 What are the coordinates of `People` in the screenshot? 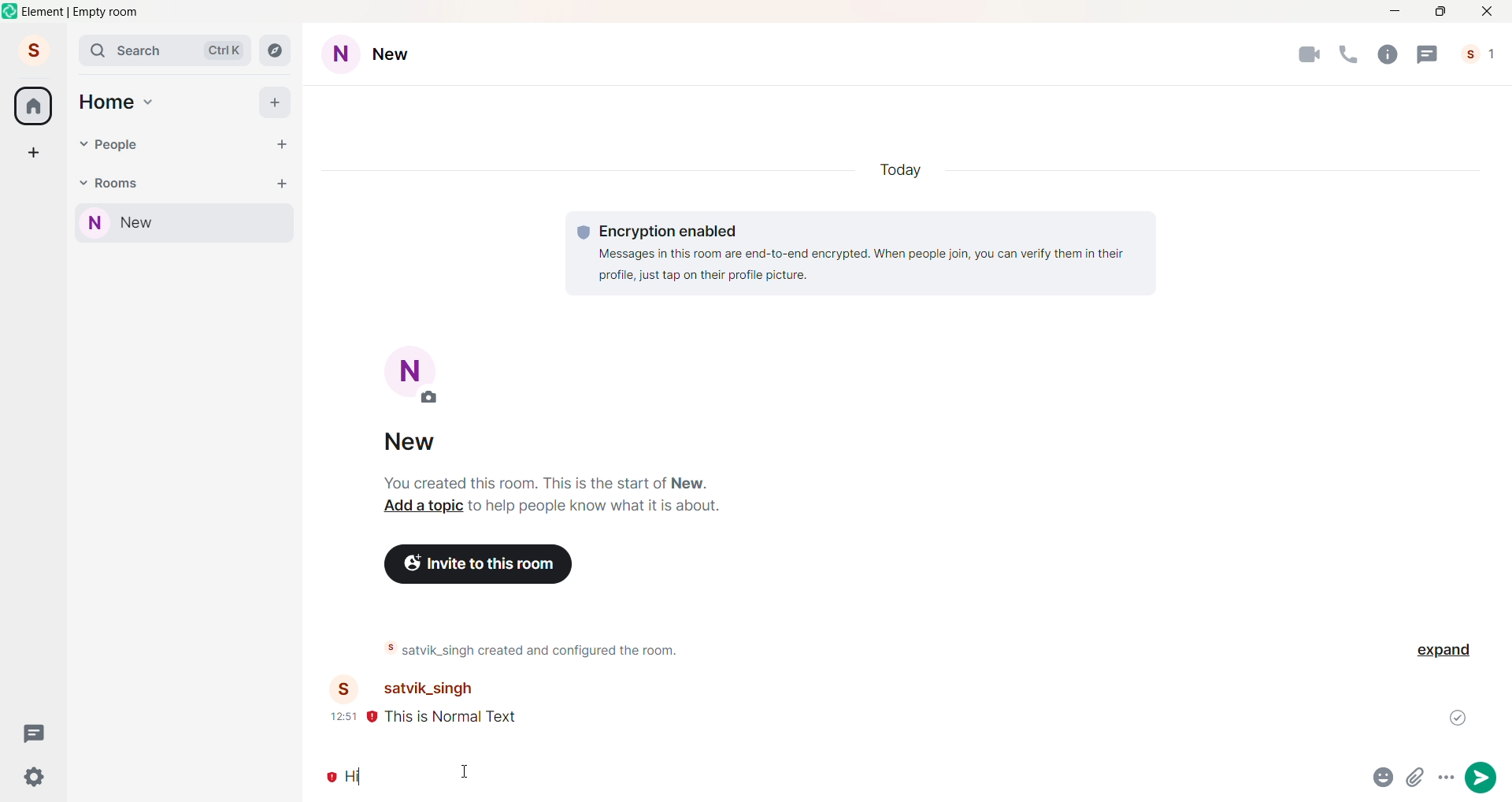 It's located at (1482, 54).